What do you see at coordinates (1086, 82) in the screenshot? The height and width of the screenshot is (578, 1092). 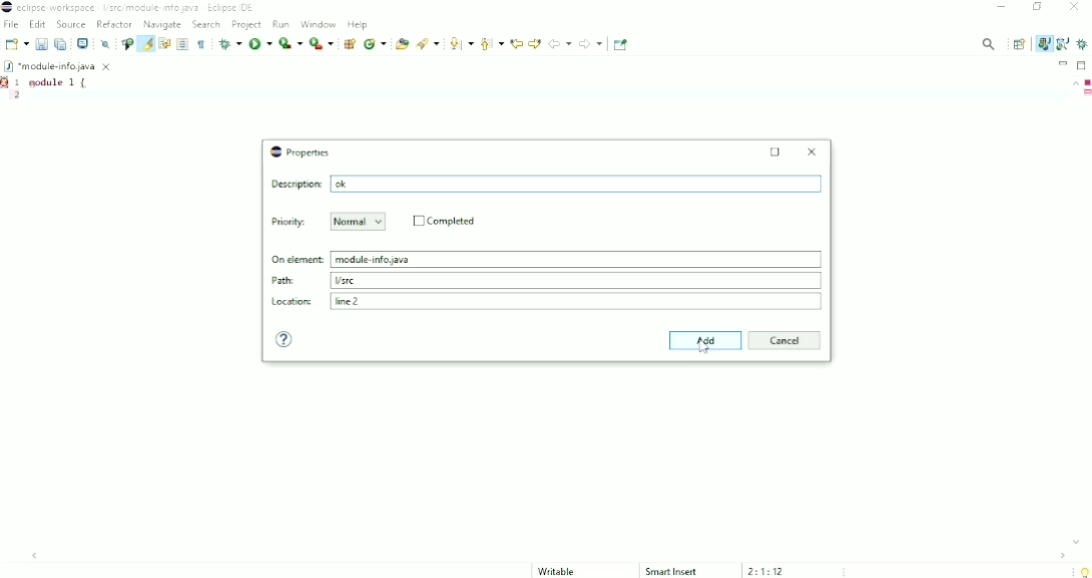 I see `Errors` at bounding box center [1086, 82].